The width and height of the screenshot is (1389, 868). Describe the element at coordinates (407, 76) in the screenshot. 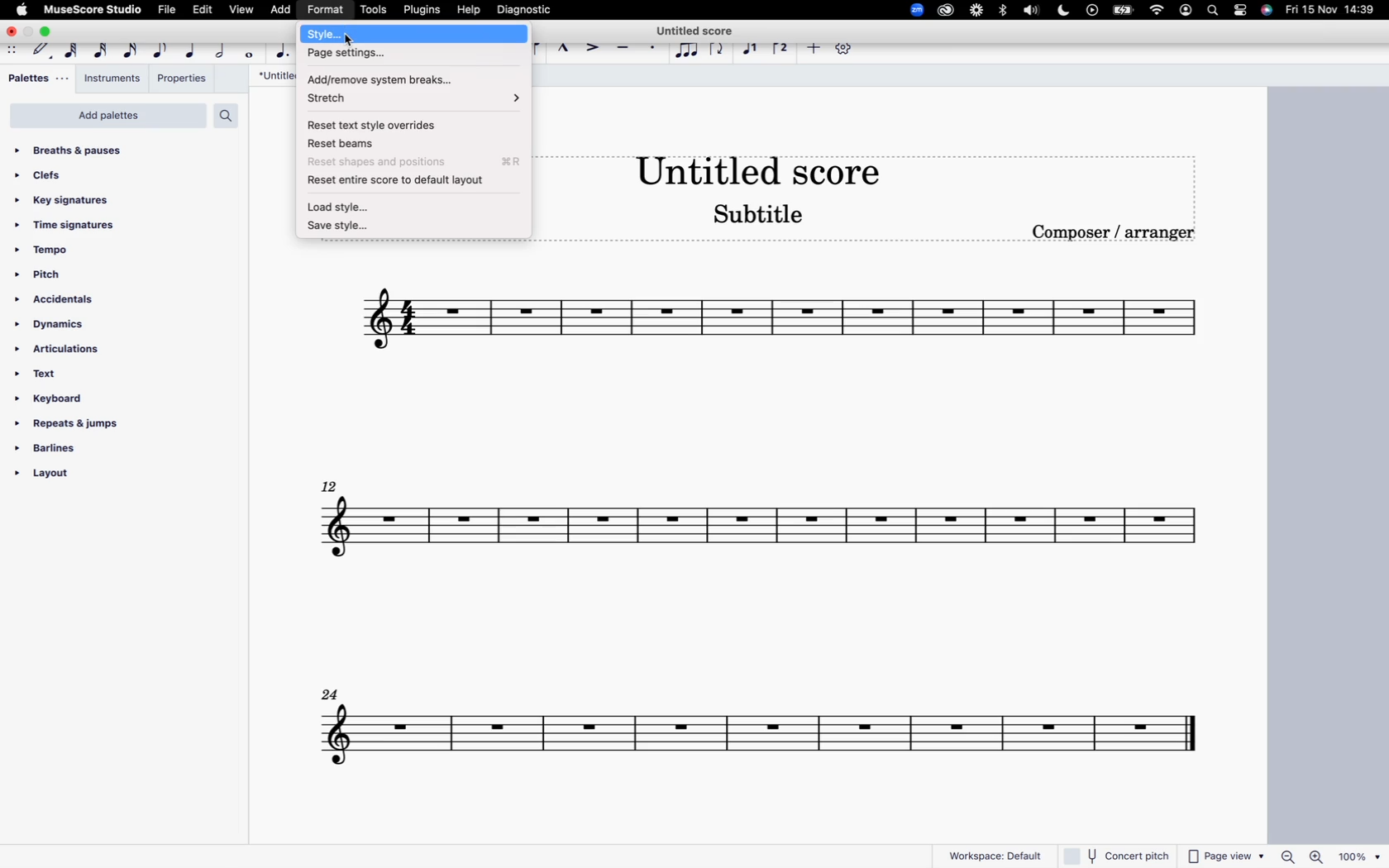

I see `add/remove system breaks` at that location.